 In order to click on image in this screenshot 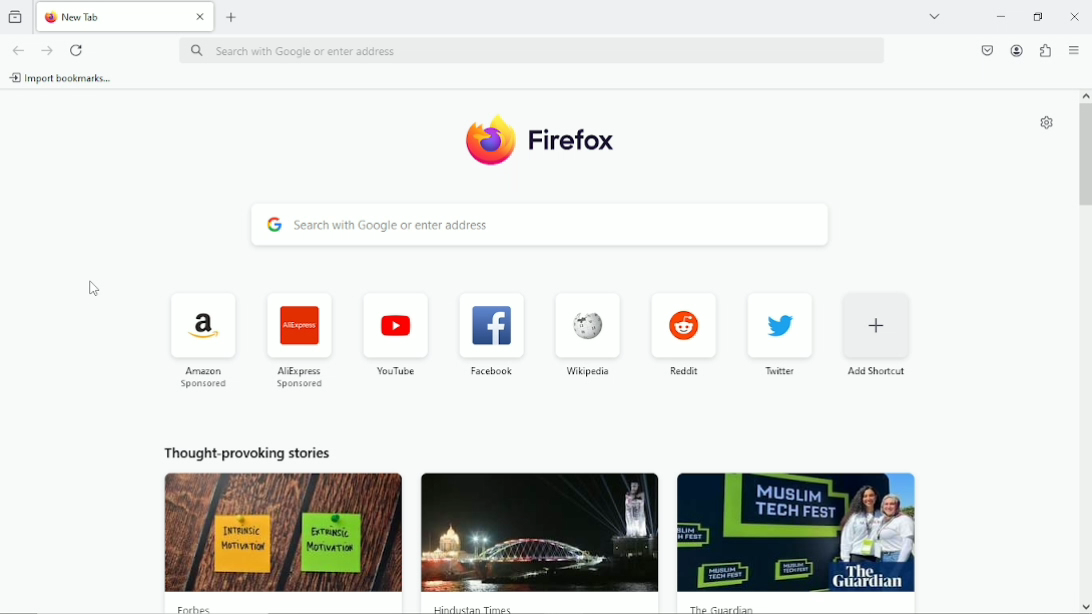, I will do `click(539, 533)`.